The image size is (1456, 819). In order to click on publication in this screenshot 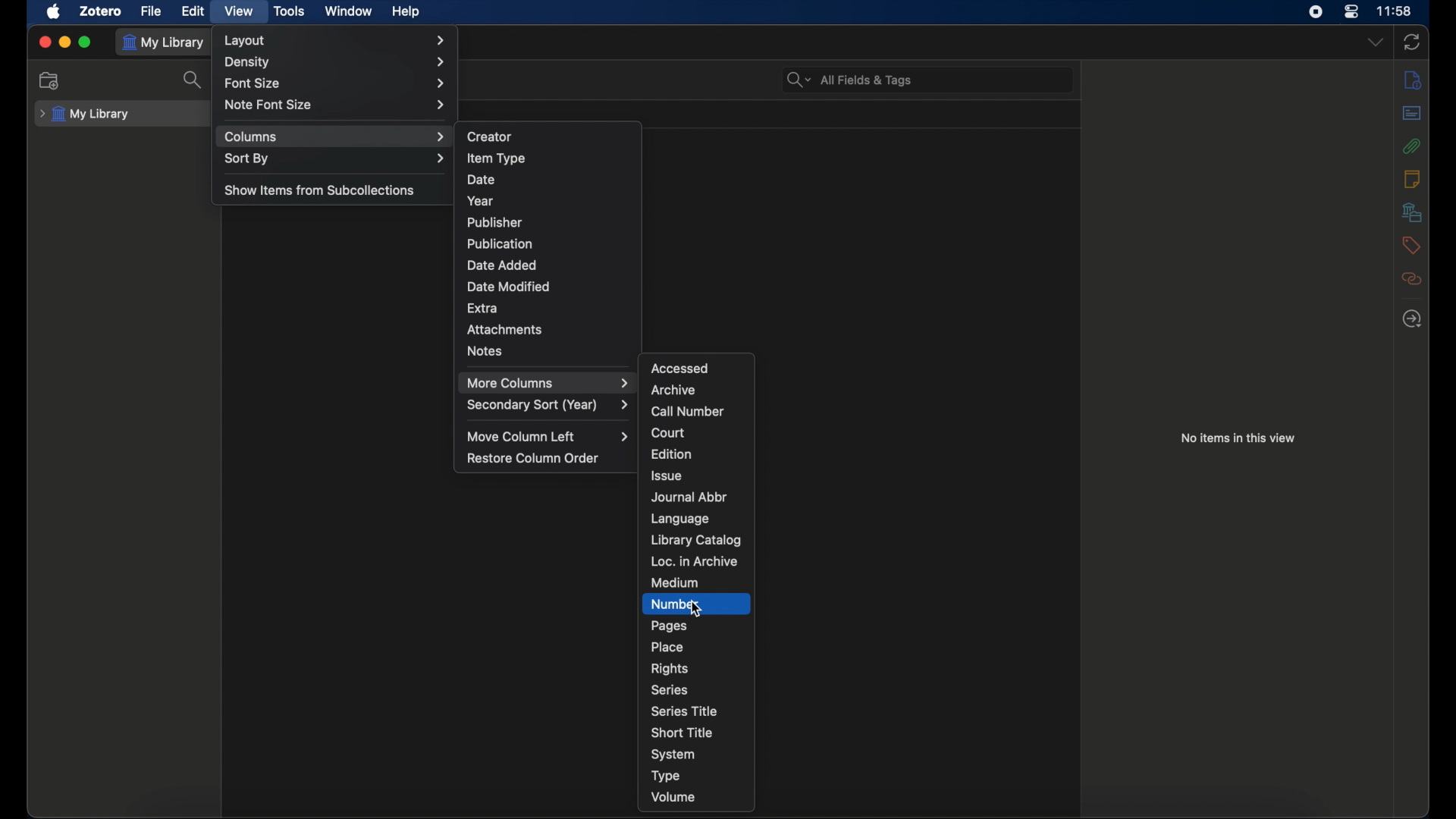, I will do `click(499, 243)`.